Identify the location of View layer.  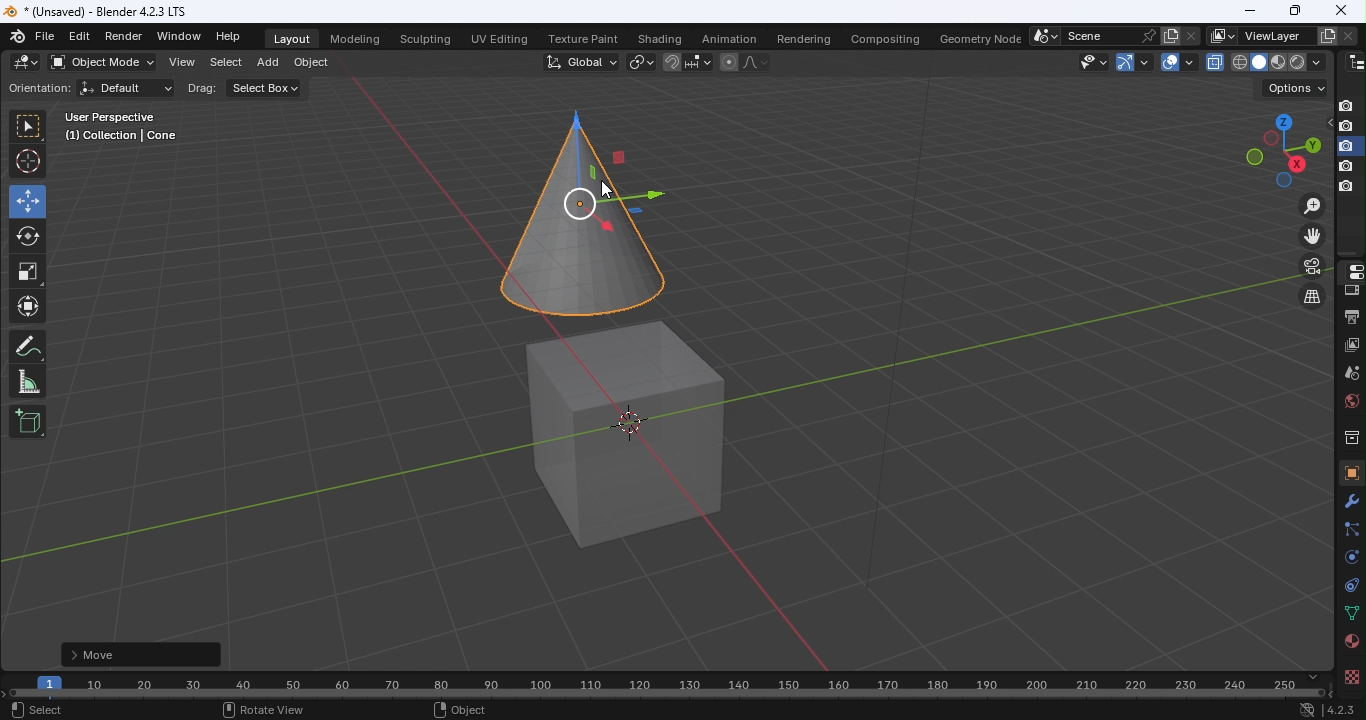
(1353, 344).